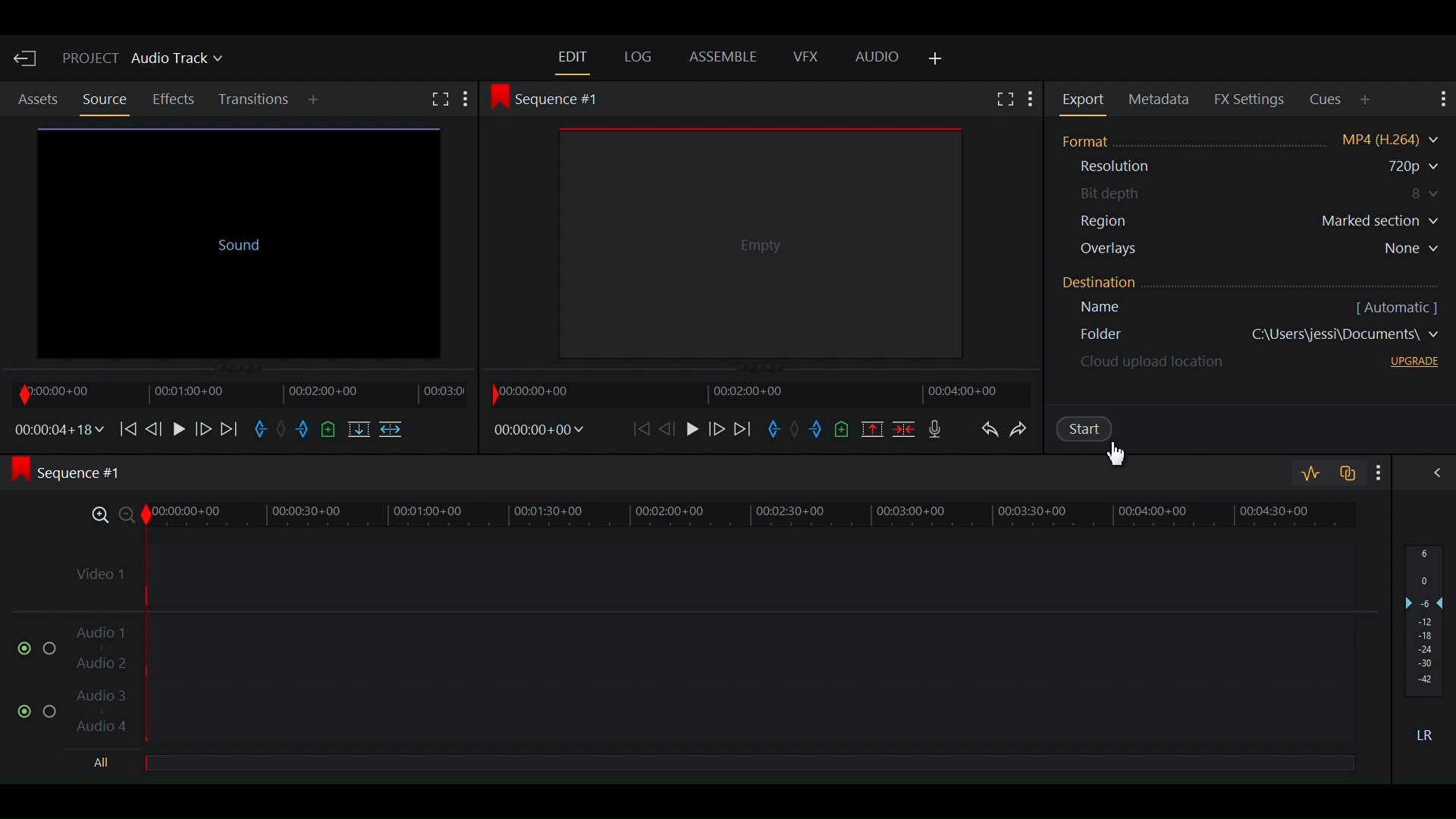 Image resolution: width=1456 pixels, height=819 pixels. Describe the element at coordinates (755, 393) in the screenshot. I see `Timeline` at that location.